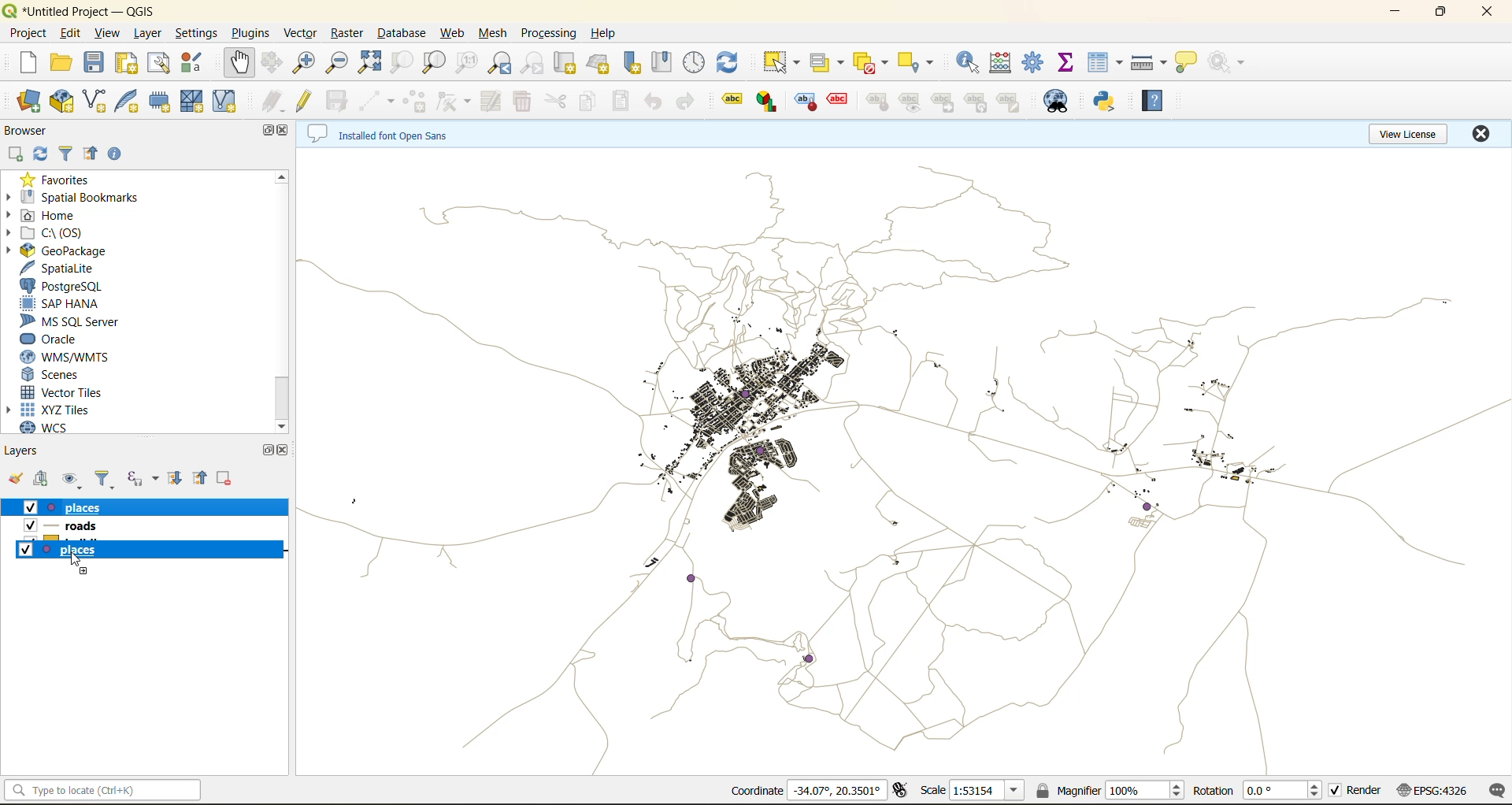 This screenshot has width=1512, height=805. Describe the element at coordinates (103, 478) in the screenshot. I see `filter` at that location.